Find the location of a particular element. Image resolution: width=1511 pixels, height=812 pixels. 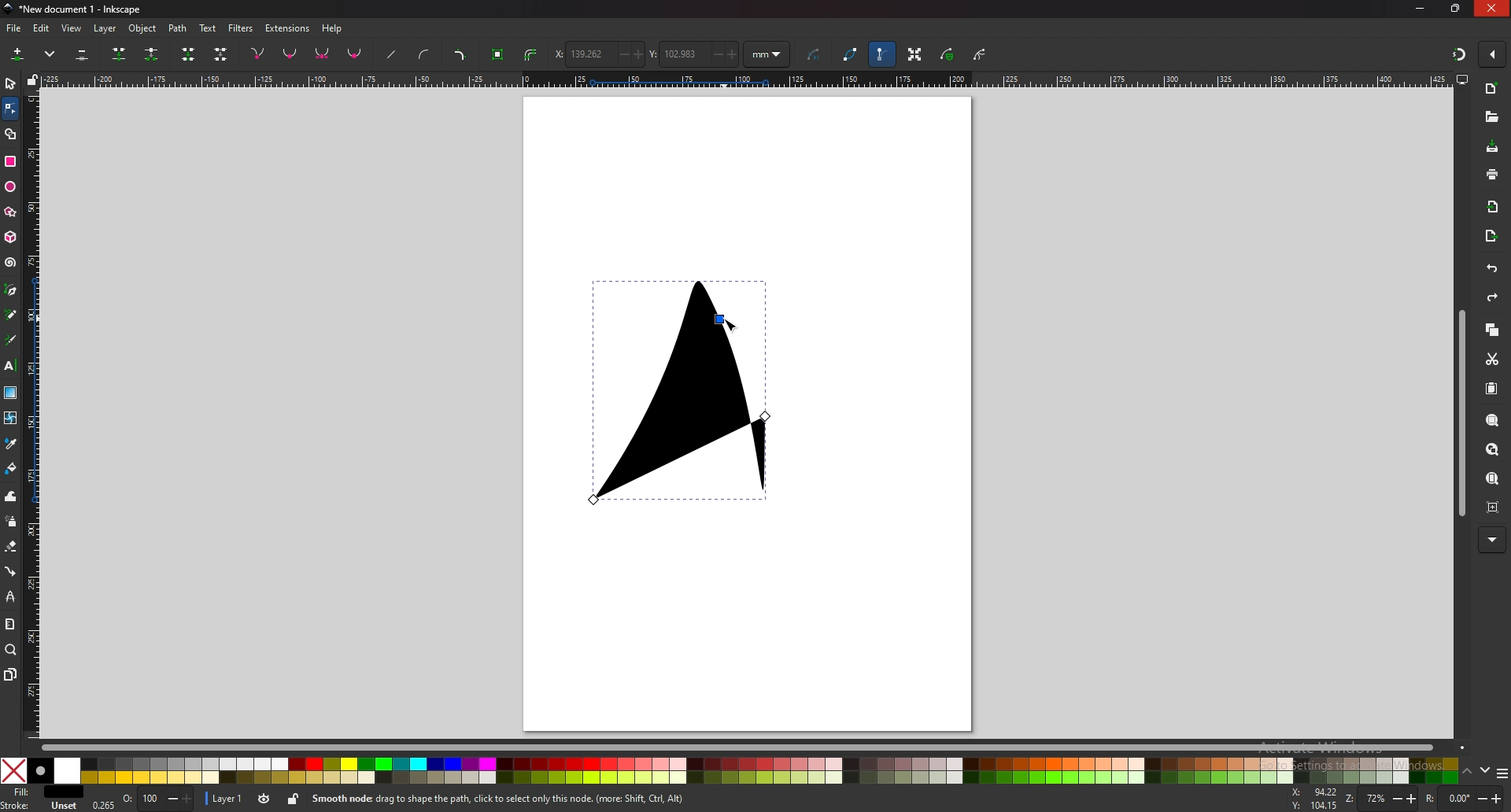

selector is located at coordinates (10, 83).